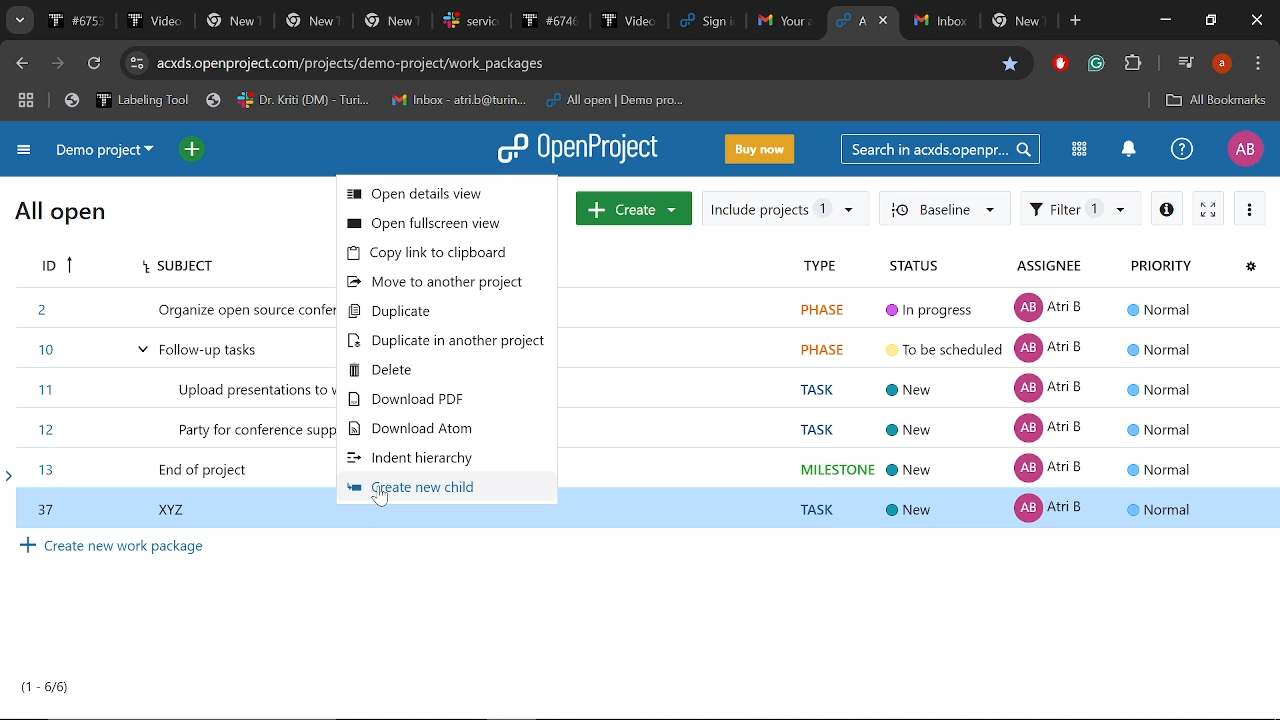 This screenshot has height=720, width=1280. I want to click on Control your music videos and more, so click(1186, 61).